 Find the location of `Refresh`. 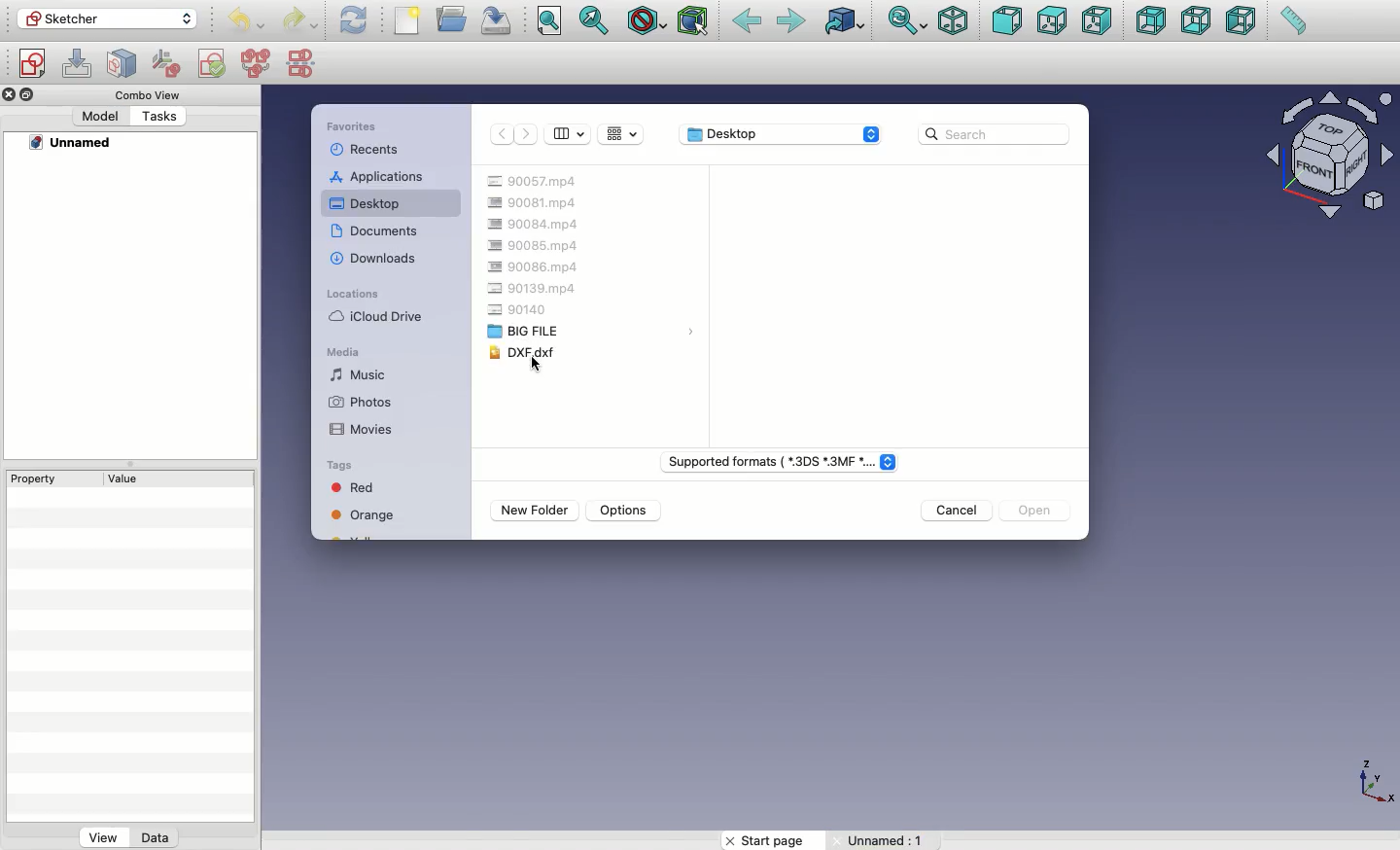

Refresh is located at coordinates (355, 22).